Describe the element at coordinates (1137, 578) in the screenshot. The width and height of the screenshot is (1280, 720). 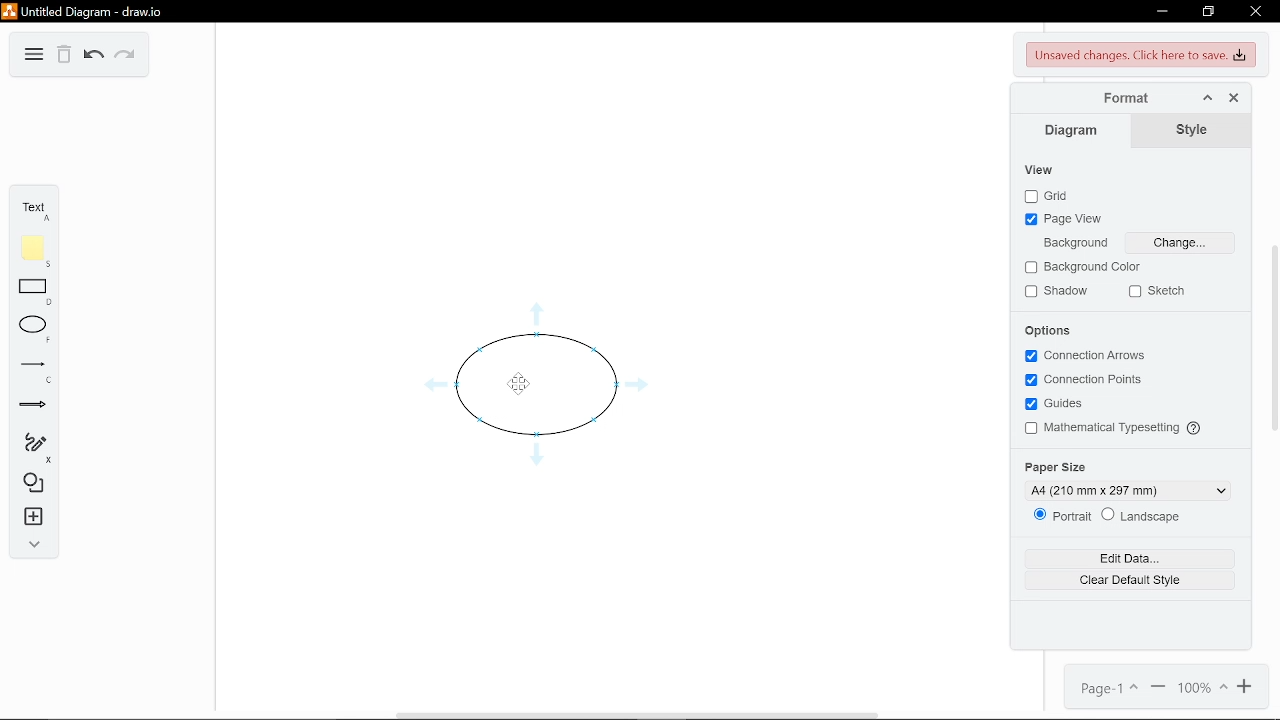
I see `Clear Default style` at that location.